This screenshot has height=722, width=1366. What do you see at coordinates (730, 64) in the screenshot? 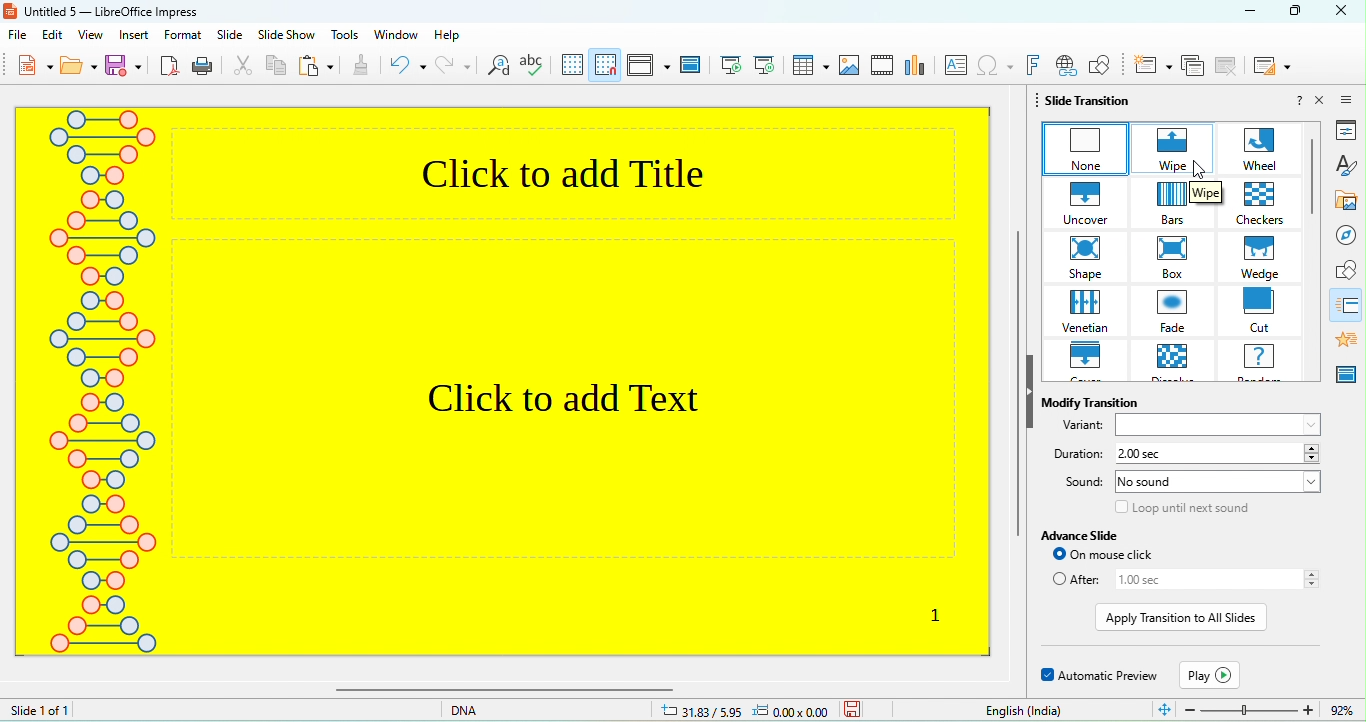
I see `first slide` at bounding box center [730, 64].